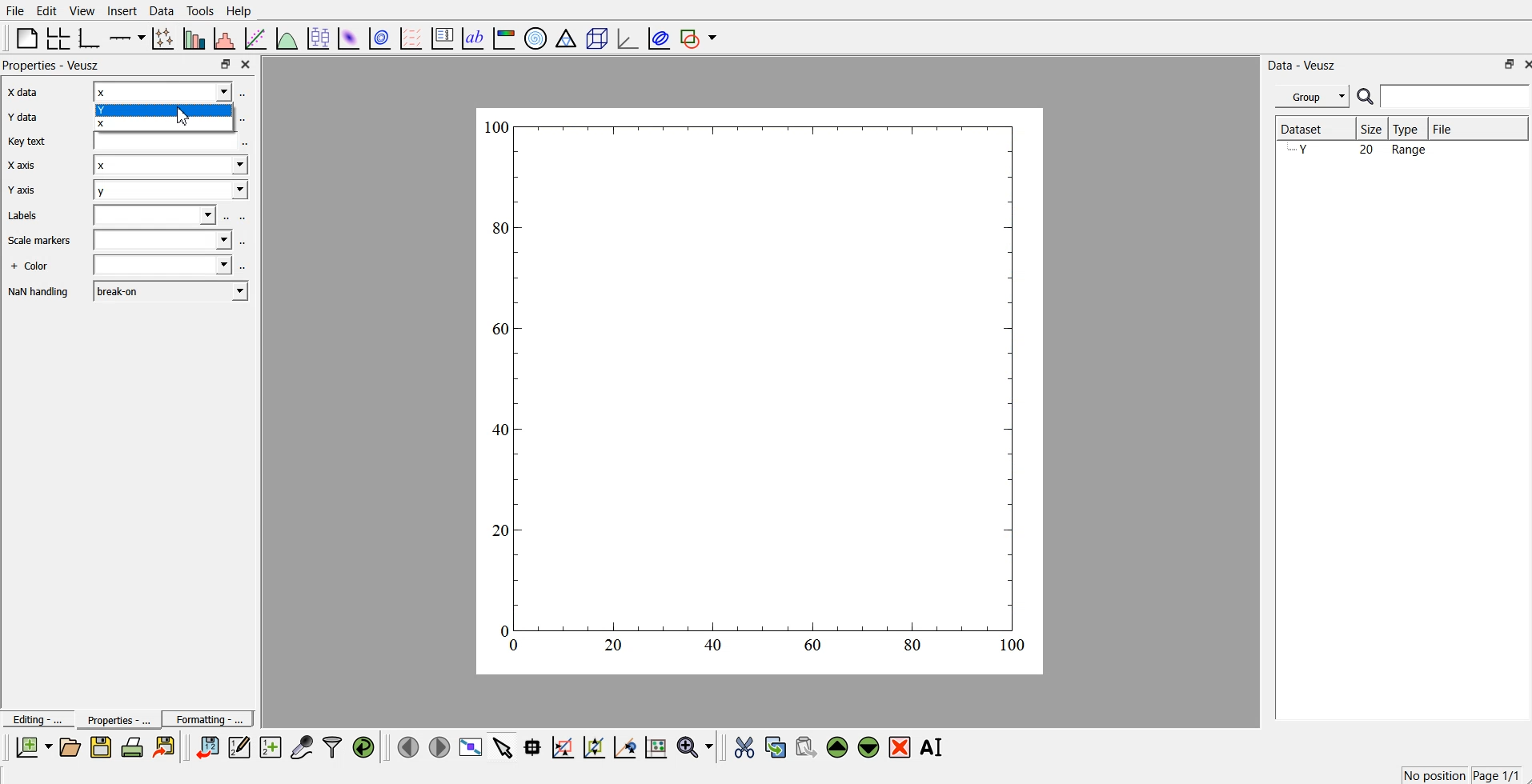  Describe the element at coordinates (777, 744) in the screenshot. I see `copy` at that location.